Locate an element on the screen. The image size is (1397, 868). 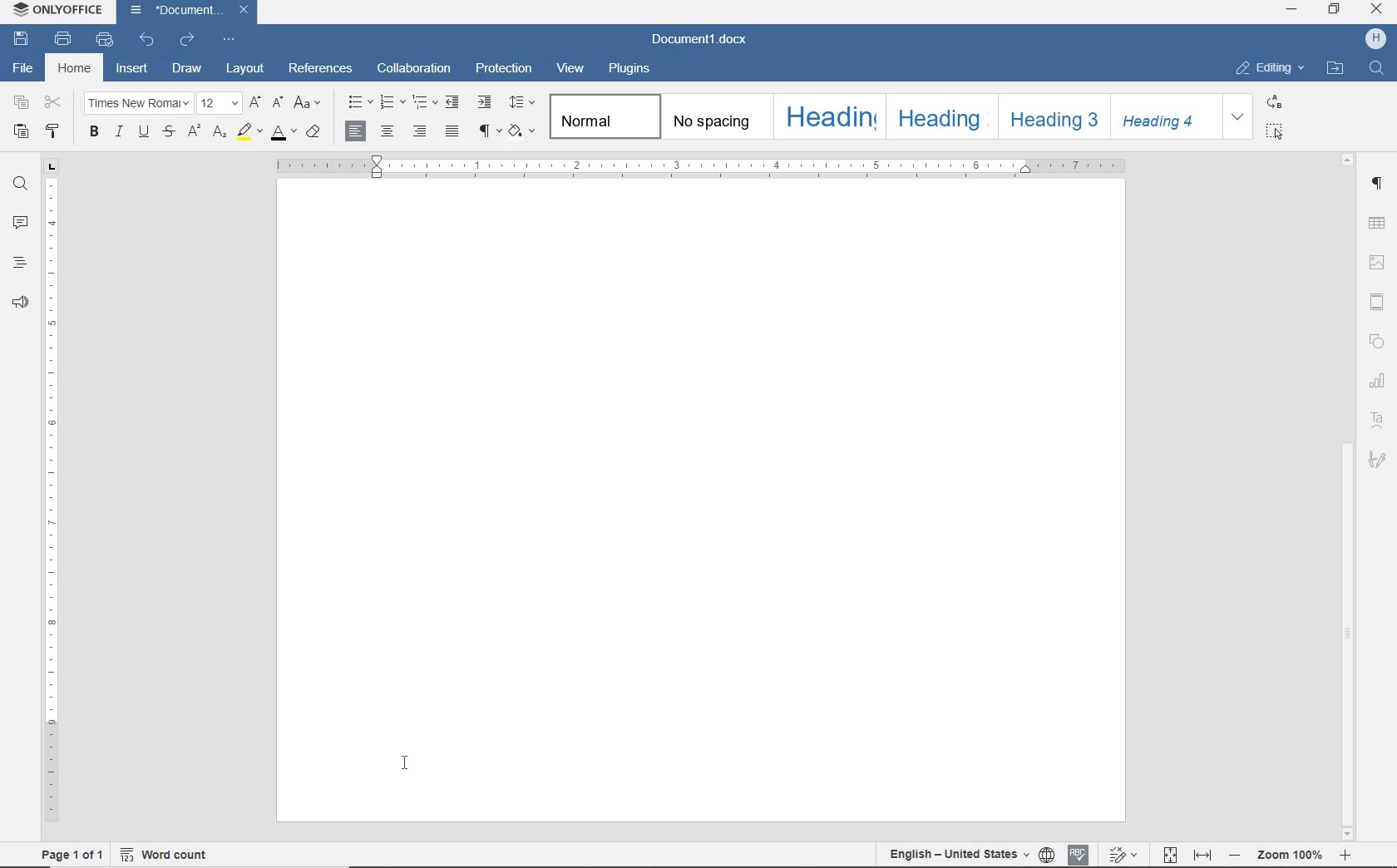
Heading 2 is located at coordinates (946, 116).